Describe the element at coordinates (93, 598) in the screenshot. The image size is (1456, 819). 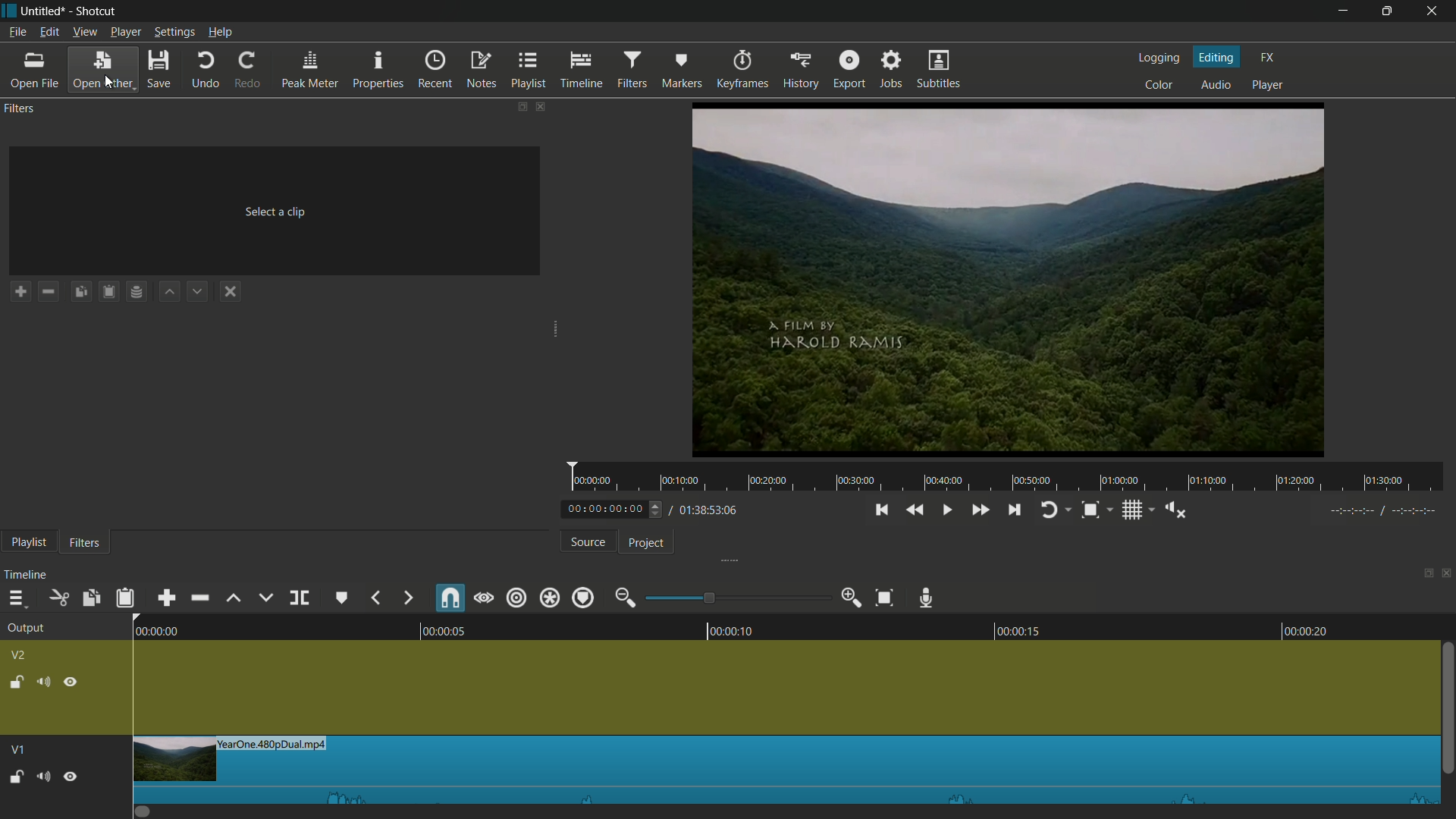
I see `copy` at that location.